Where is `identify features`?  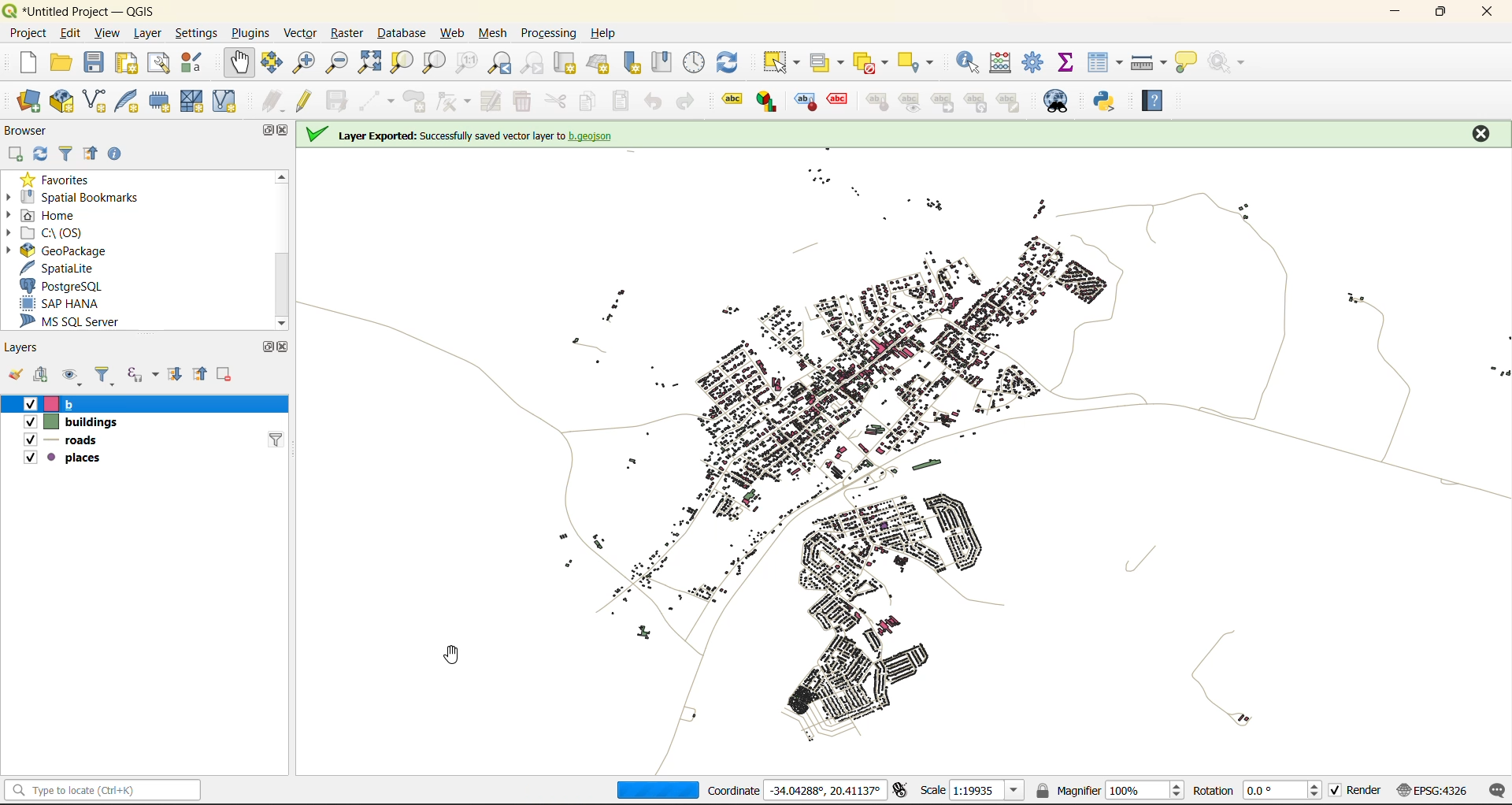
identify features is located at coordinates (972, 62).